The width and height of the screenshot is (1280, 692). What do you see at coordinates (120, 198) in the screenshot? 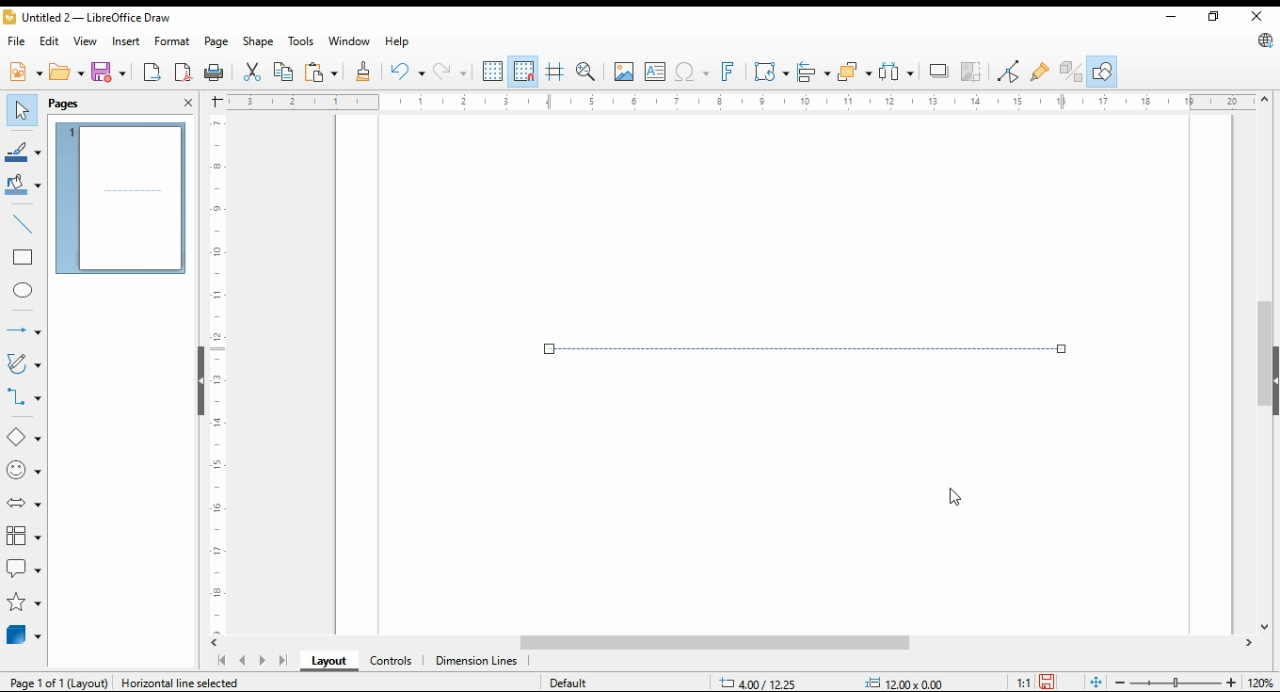
I see `page 1` at bounding box center [120, 198].